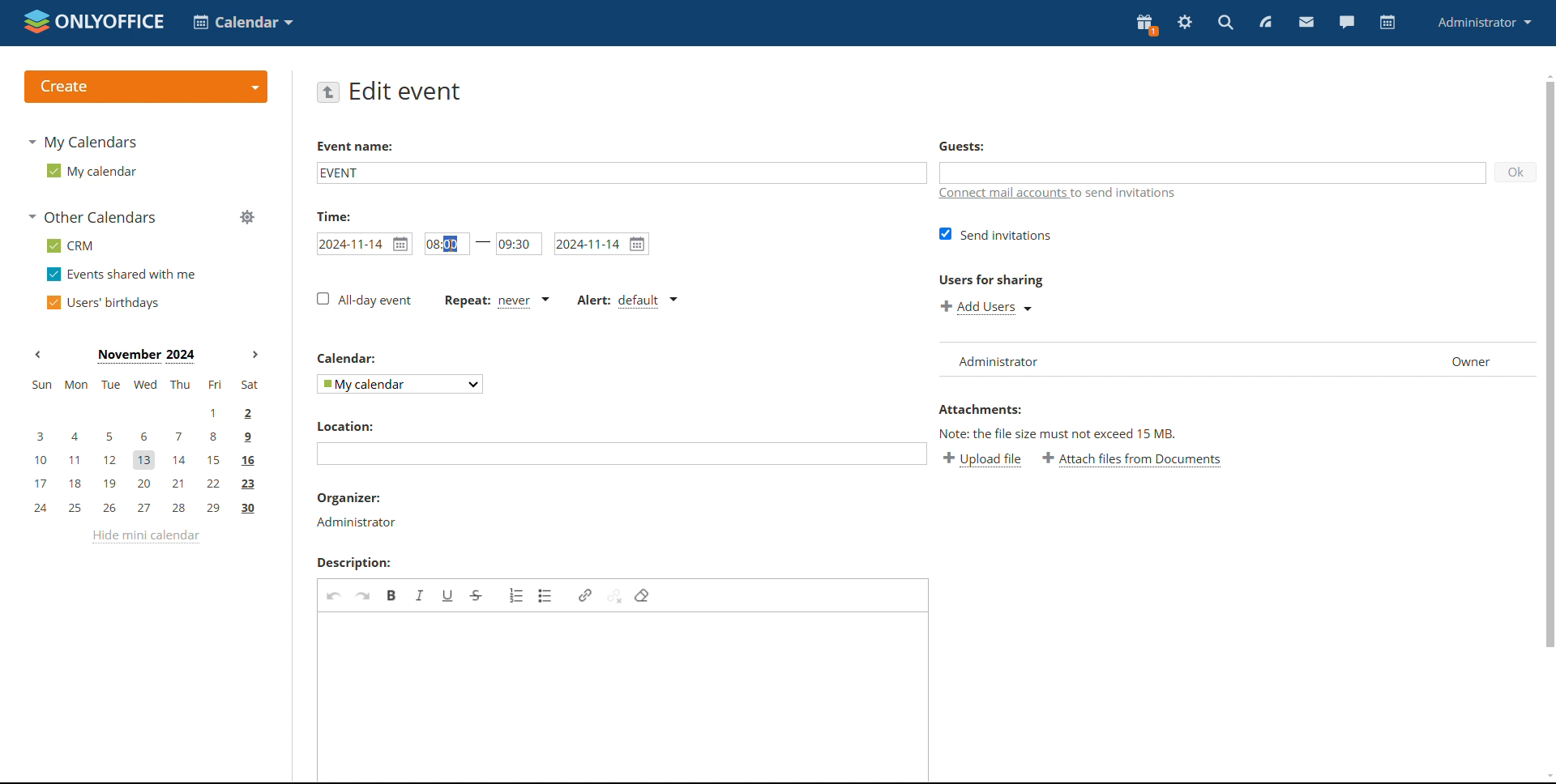 The height and width of the screenshot is (784, 1556). What do you see at coordinates (91, 170) in the screenshot?
I see `my calendar` at bounding box center [91, 170].